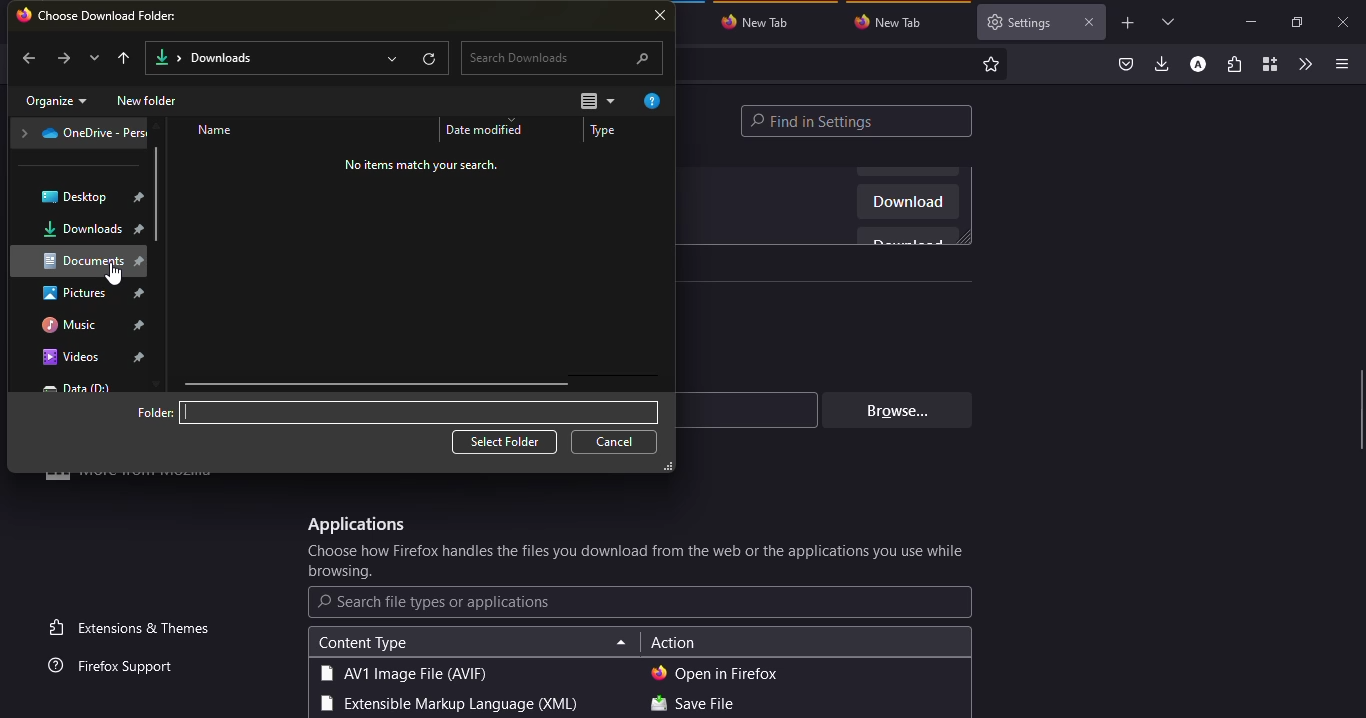 The width and height of the screenshot is (1366, 718). I want to click on save, so click(692, 705).